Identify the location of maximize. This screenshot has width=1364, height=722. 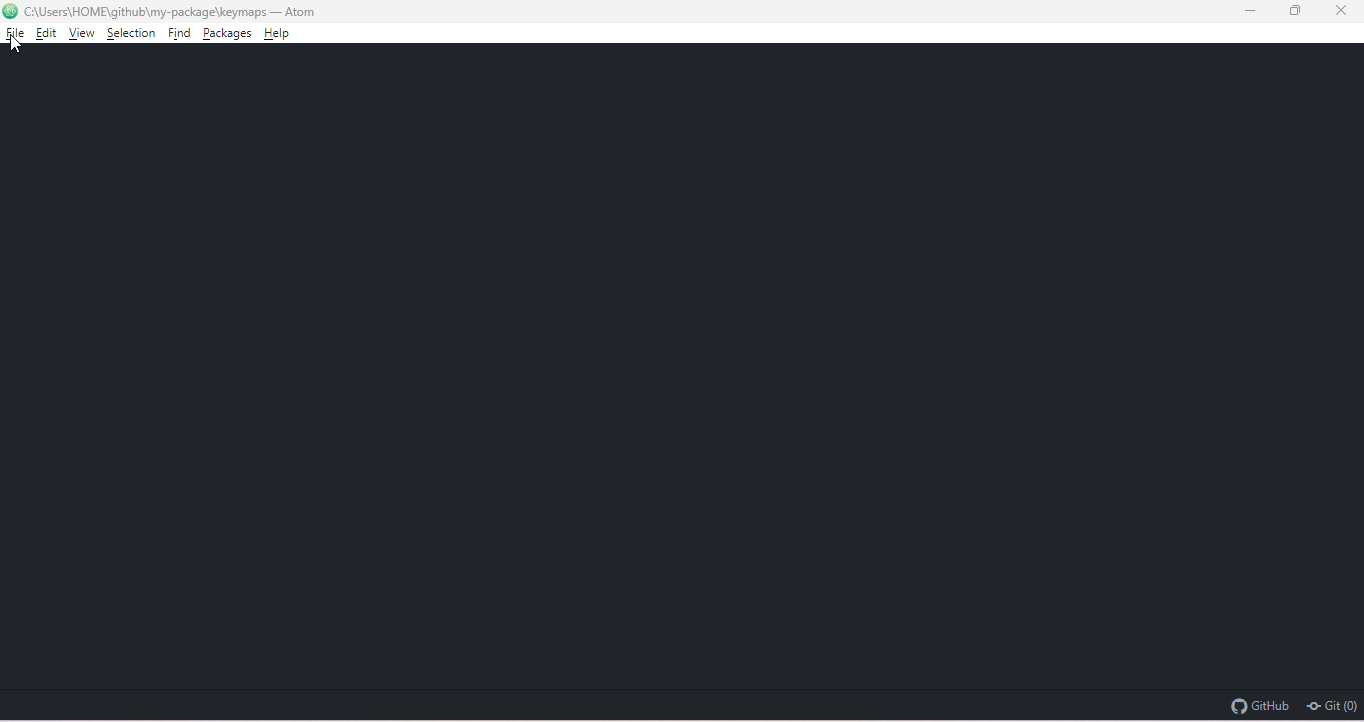
(1299, 14).